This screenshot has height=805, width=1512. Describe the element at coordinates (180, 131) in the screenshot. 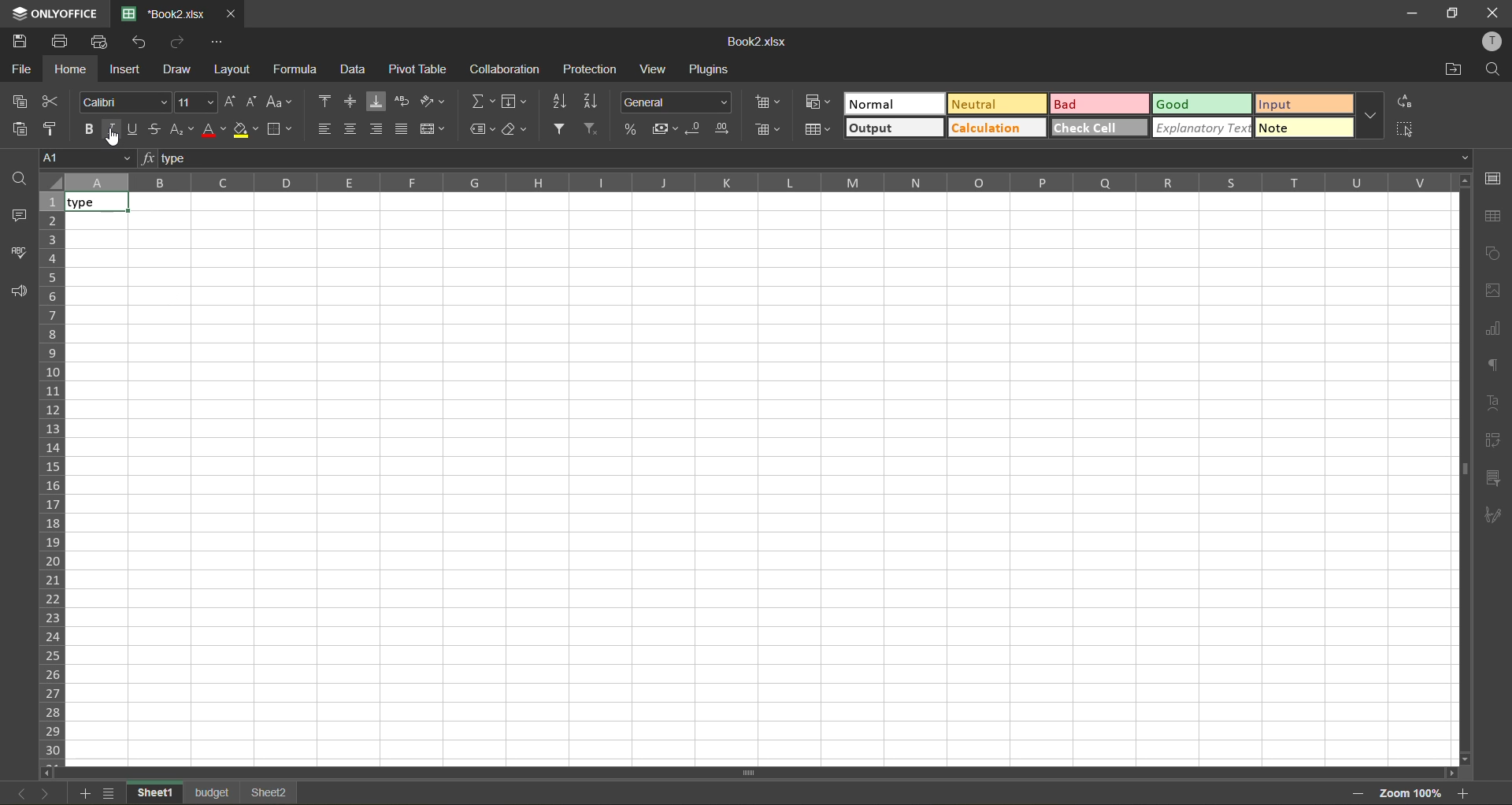

I see `sub/superscript` at that location.